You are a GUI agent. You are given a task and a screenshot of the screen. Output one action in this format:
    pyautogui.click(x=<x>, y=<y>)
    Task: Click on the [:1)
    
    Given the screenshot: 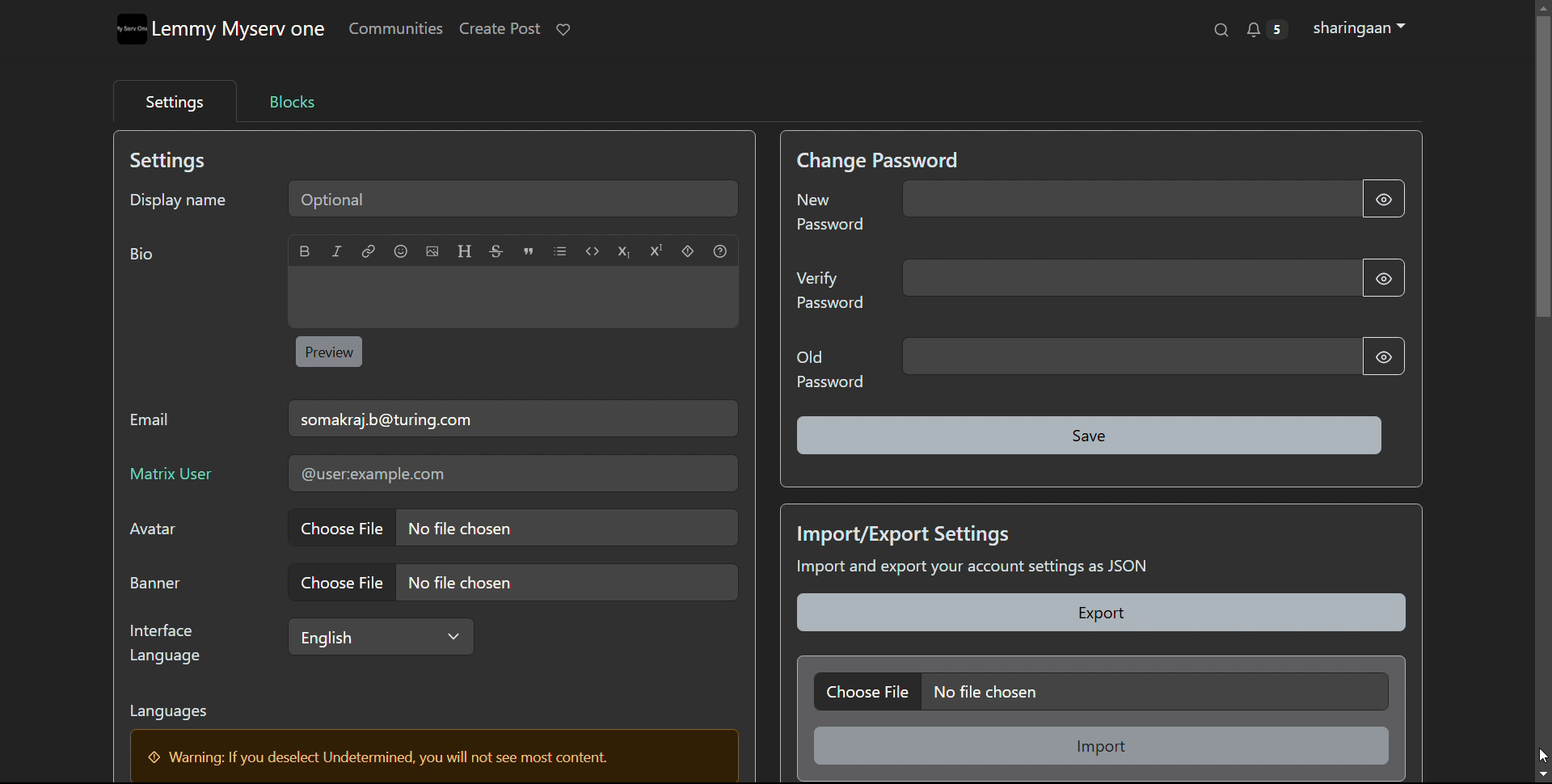 What is the action you would take?
    pyautogui.click(x=142, y=253)
    